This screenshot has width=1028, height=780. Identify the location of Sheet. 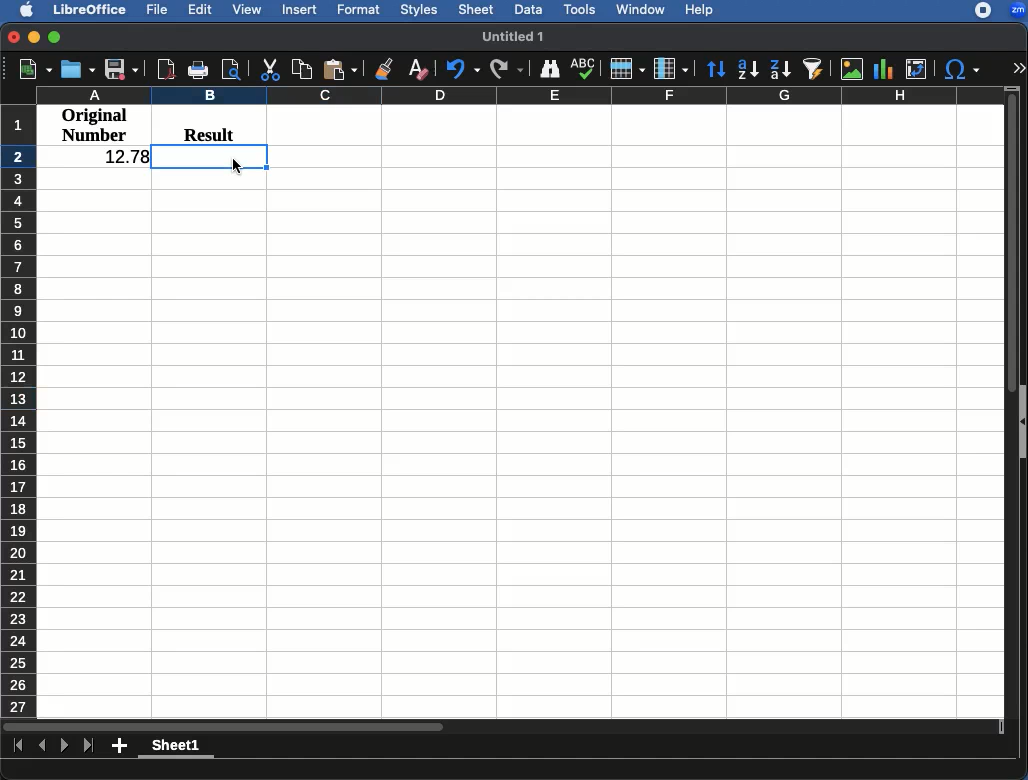
(478, 11).